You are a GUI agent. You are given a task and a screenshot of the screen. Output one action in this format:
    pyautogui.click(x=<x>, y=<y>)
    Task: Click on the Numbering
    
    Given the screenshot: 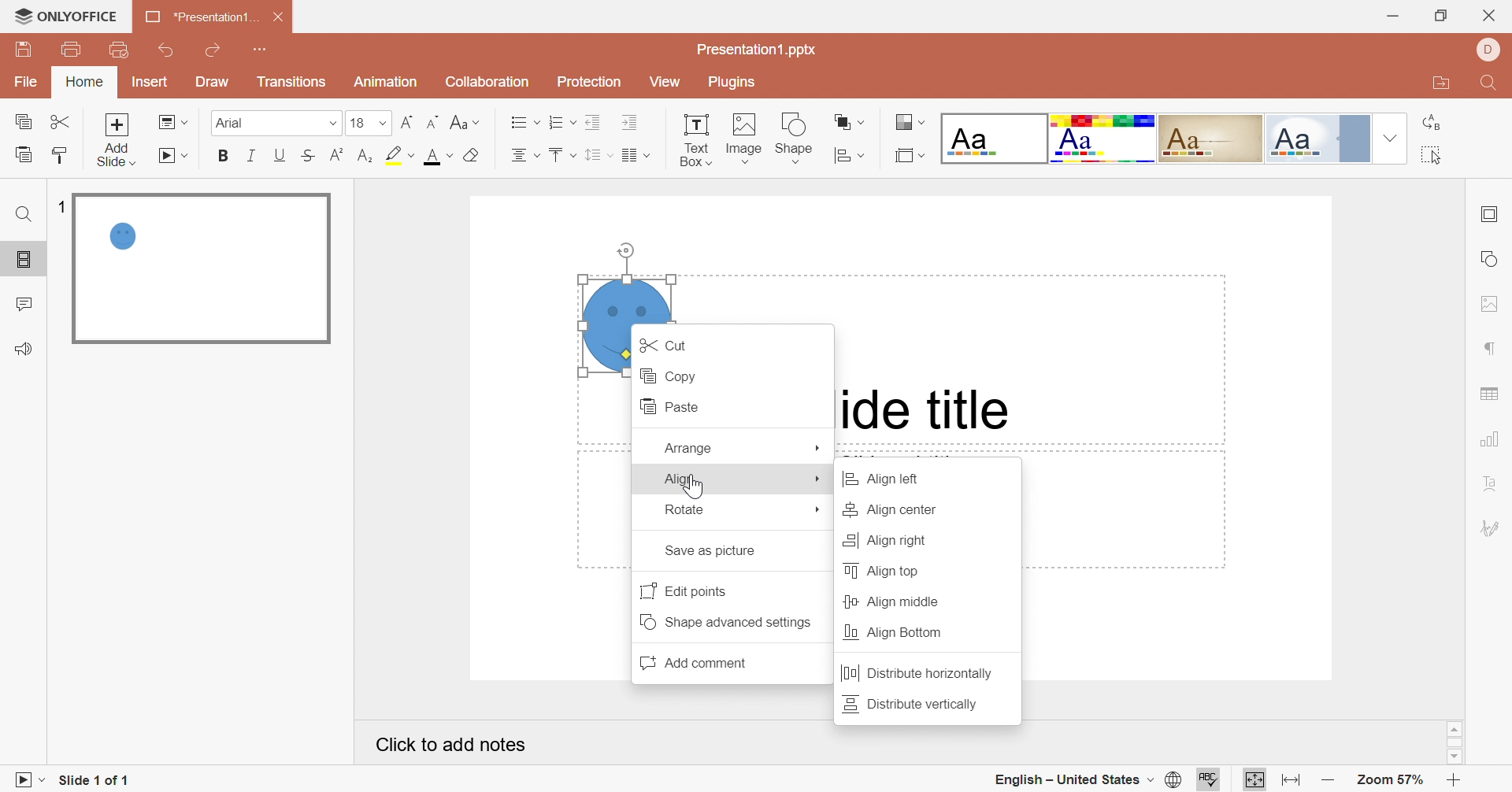 What is the action you would take?
    pyautogui.click(x=563, y=124)
    